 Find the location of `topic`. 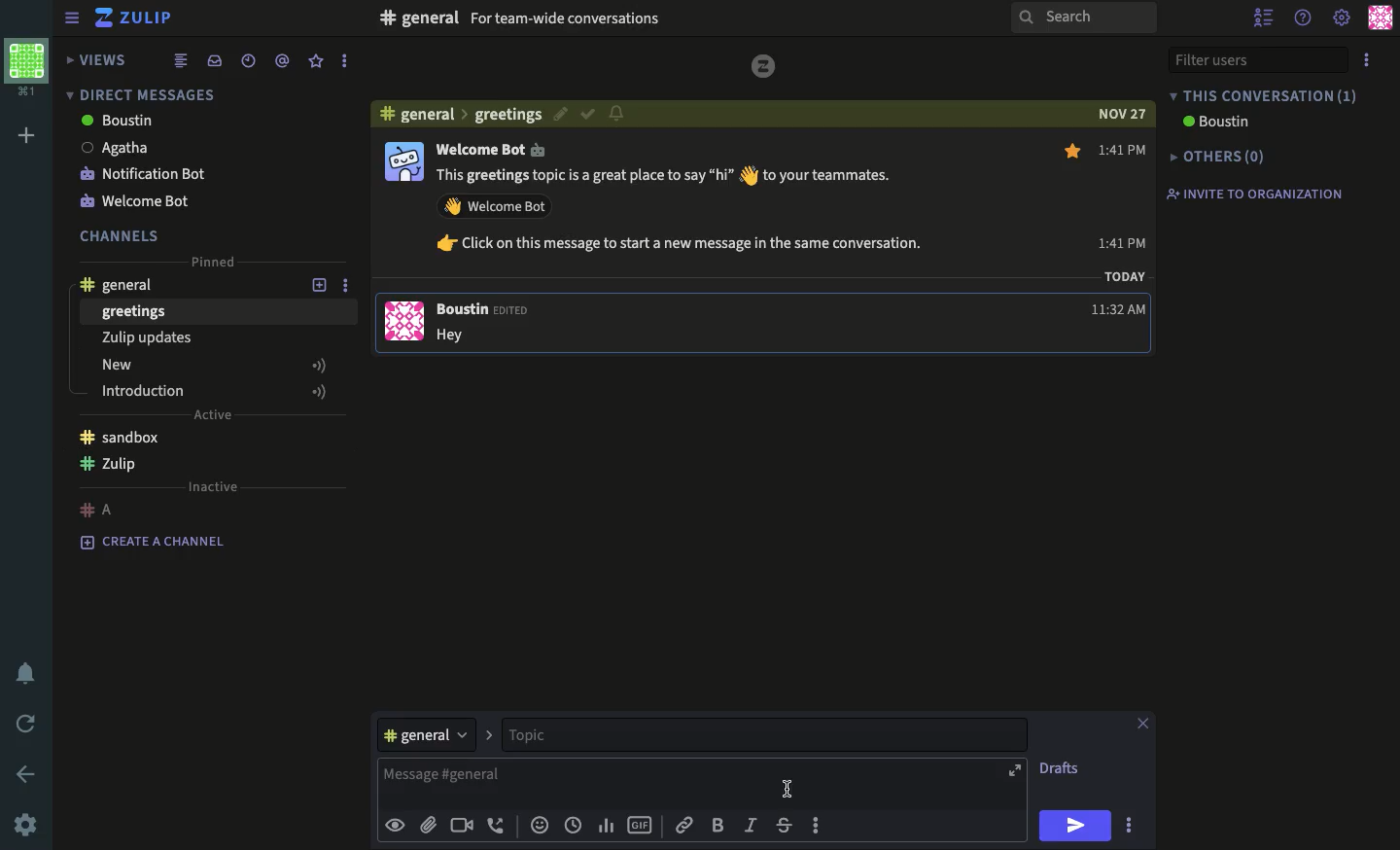

topic is located at coordinates (765, 735).